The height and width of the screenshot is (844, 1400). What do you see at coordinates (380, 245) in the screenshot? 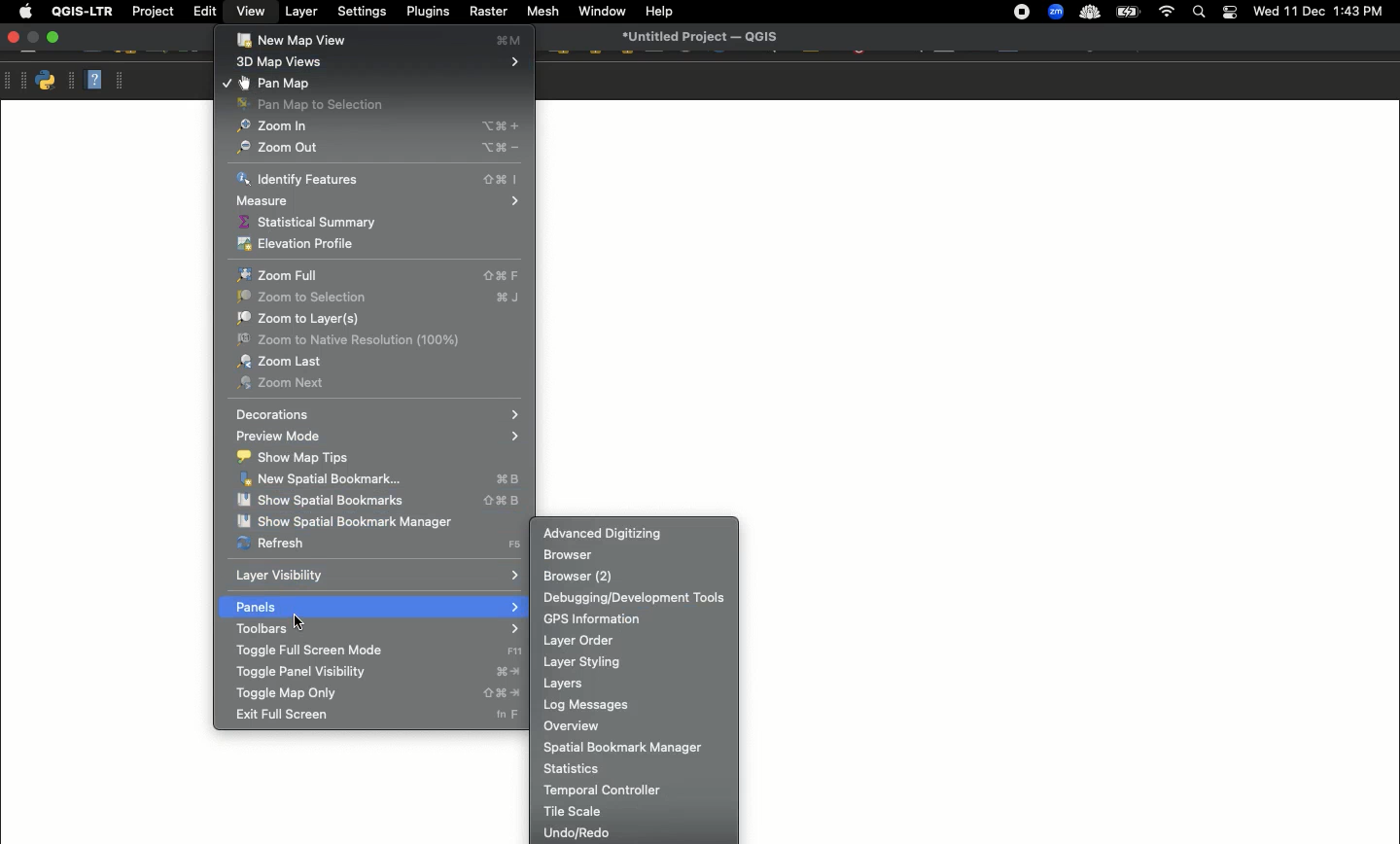
I see `Elevation profile` at bounding box center [380, 245].